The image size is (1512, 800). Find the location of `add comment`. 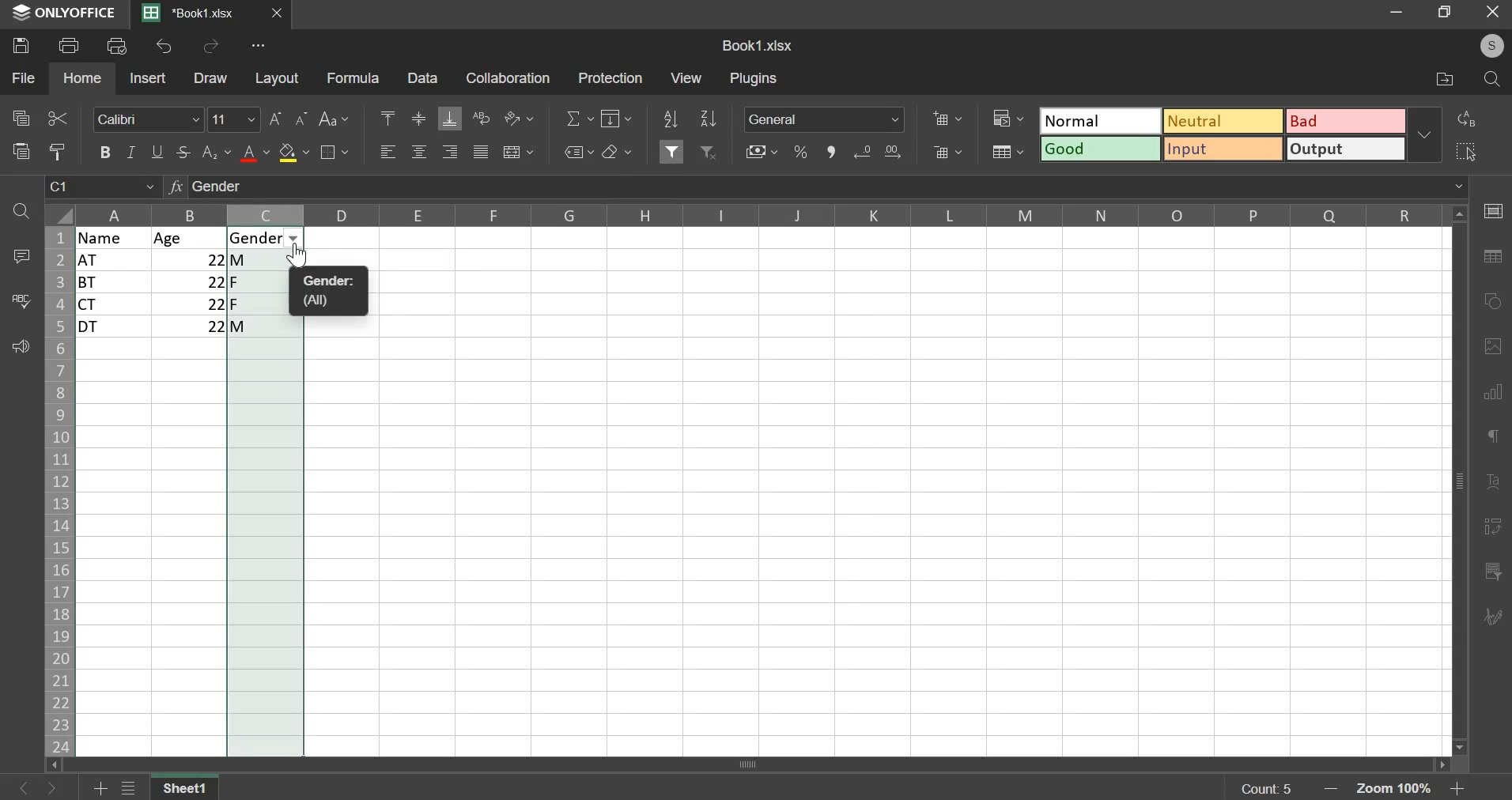

add comment is located at coordinates (18, 255).